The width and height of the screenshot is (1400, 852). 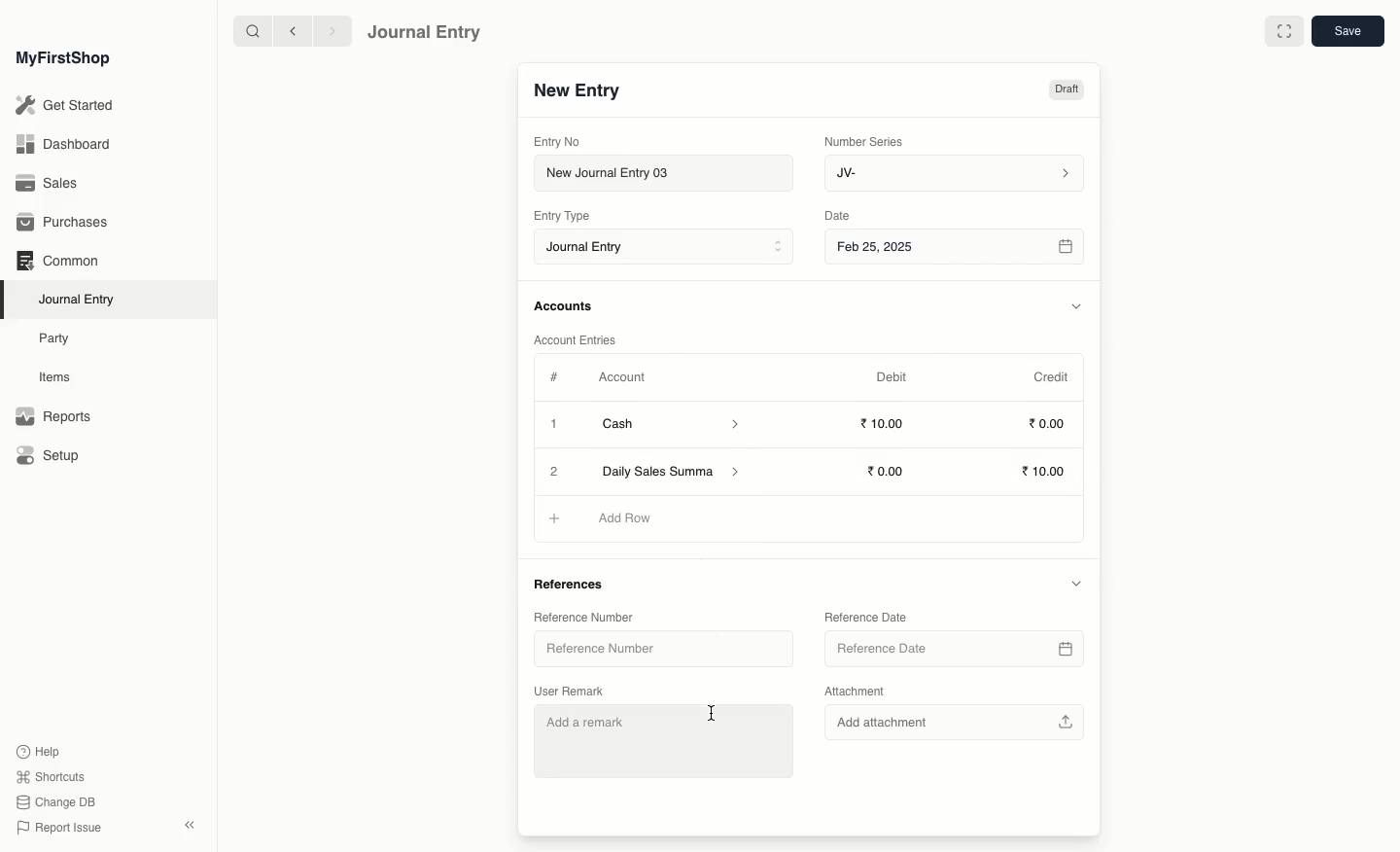 I want to click on New Journal Entry 03, so click(x=669, y=174).